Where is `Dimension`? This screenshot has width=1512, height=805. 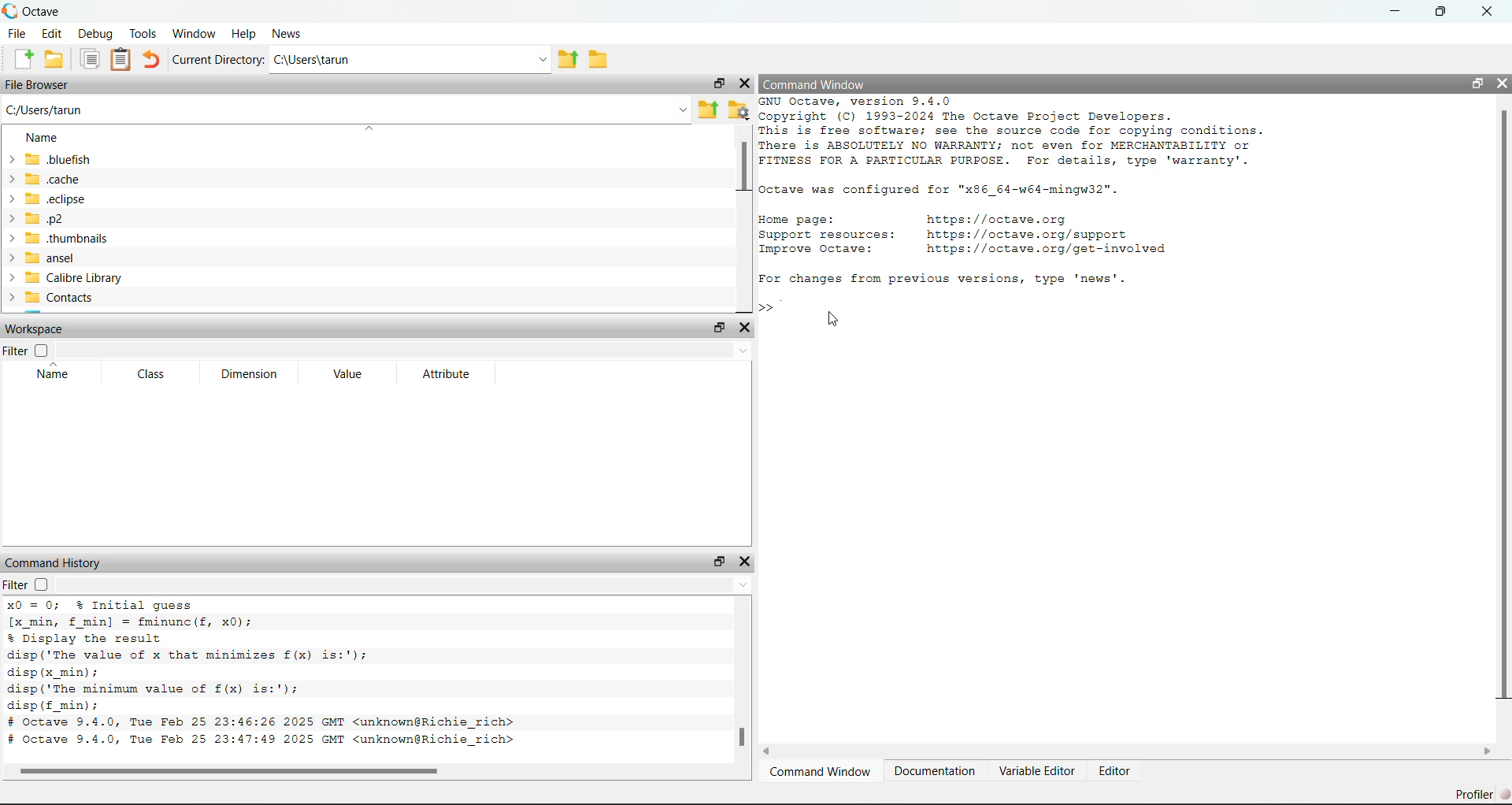
Dimension is located at coordinates (256, 377).